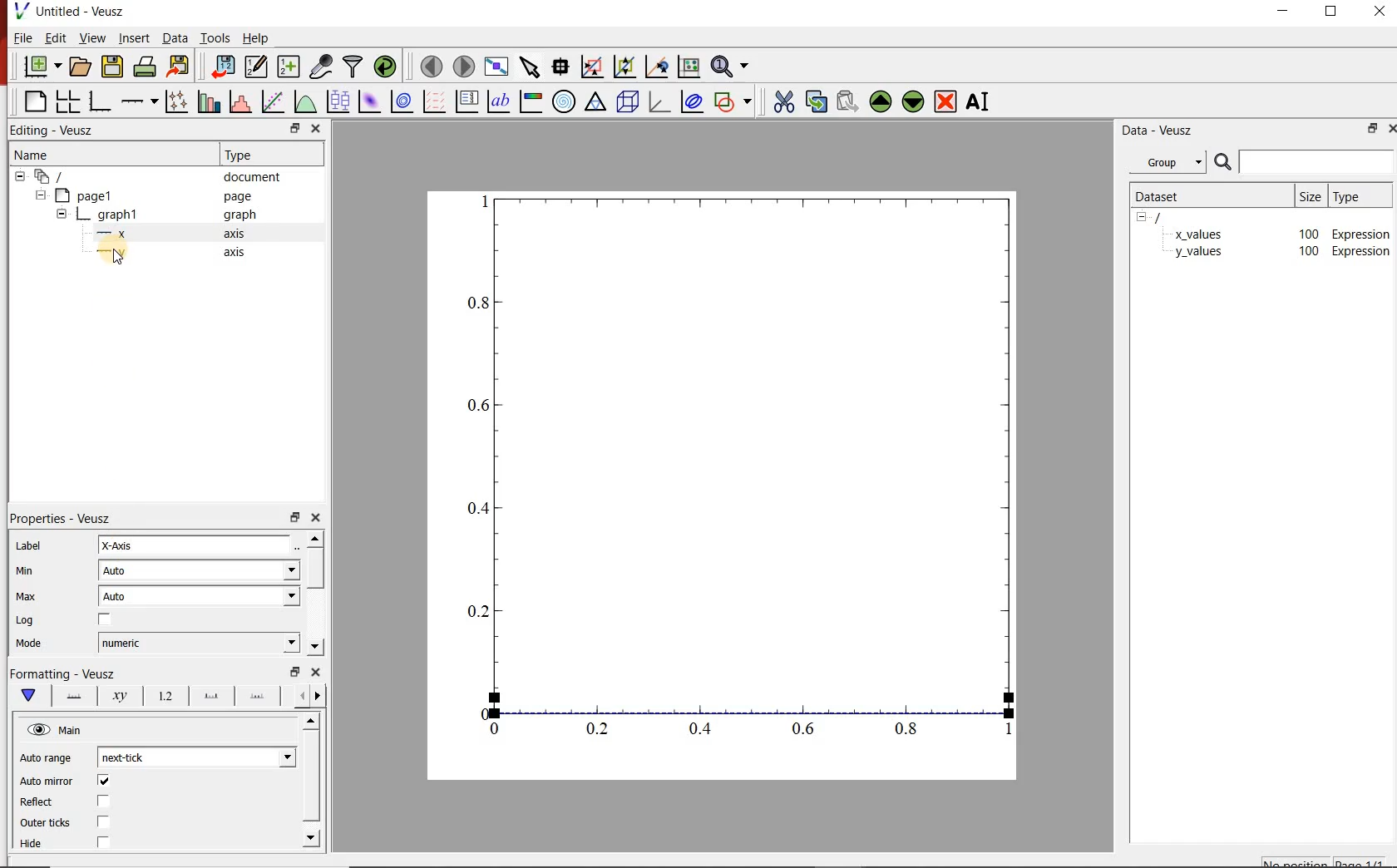  What do you see at coordinates (913, 104) in the screenshot?
I see `move down the selected widget` at bounding box center [913, 104].